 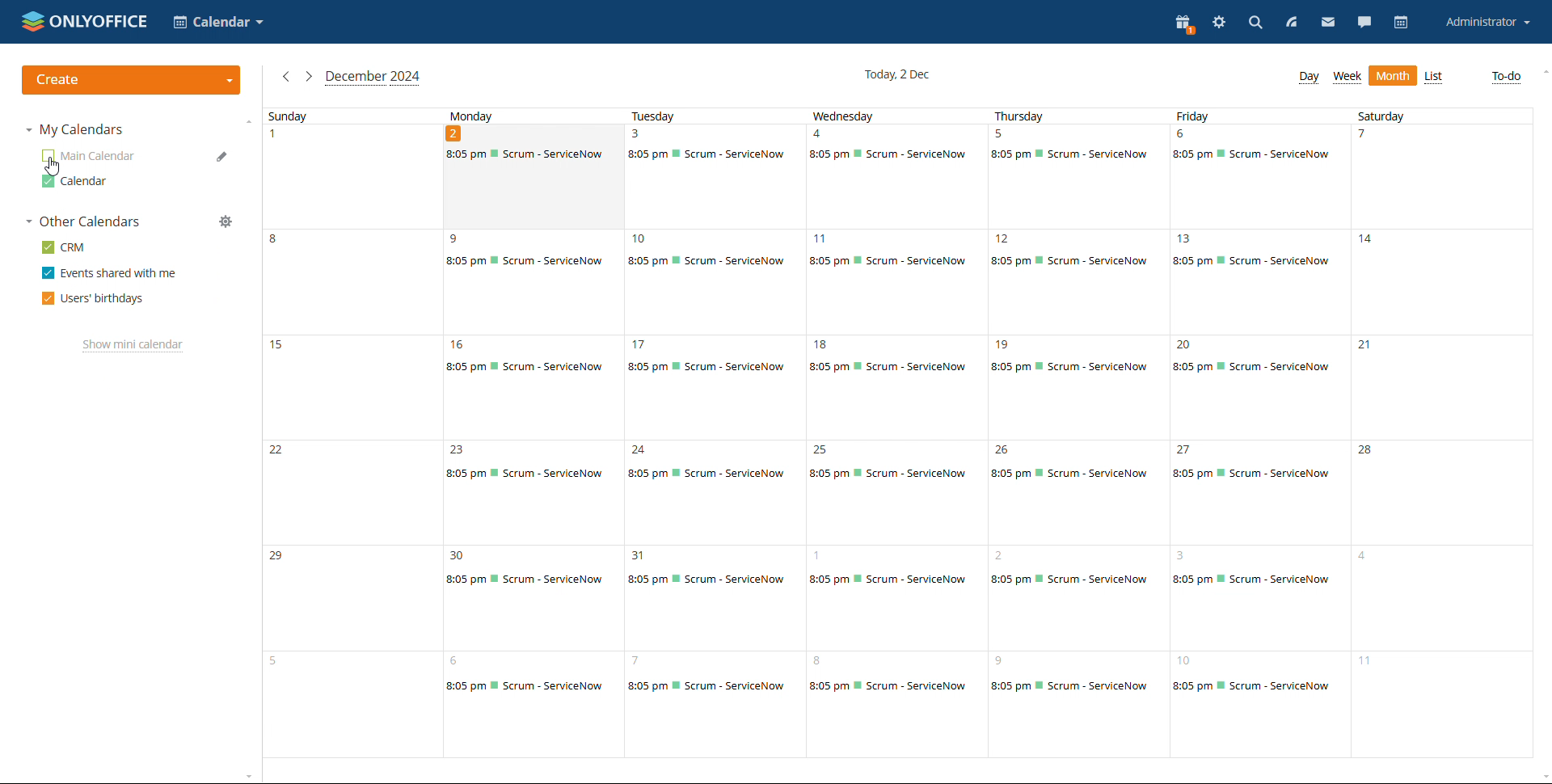 What do you see at coordinates (1309, 78) in the screenshot?
I see `dat view` at bounding box center [1309, 78].